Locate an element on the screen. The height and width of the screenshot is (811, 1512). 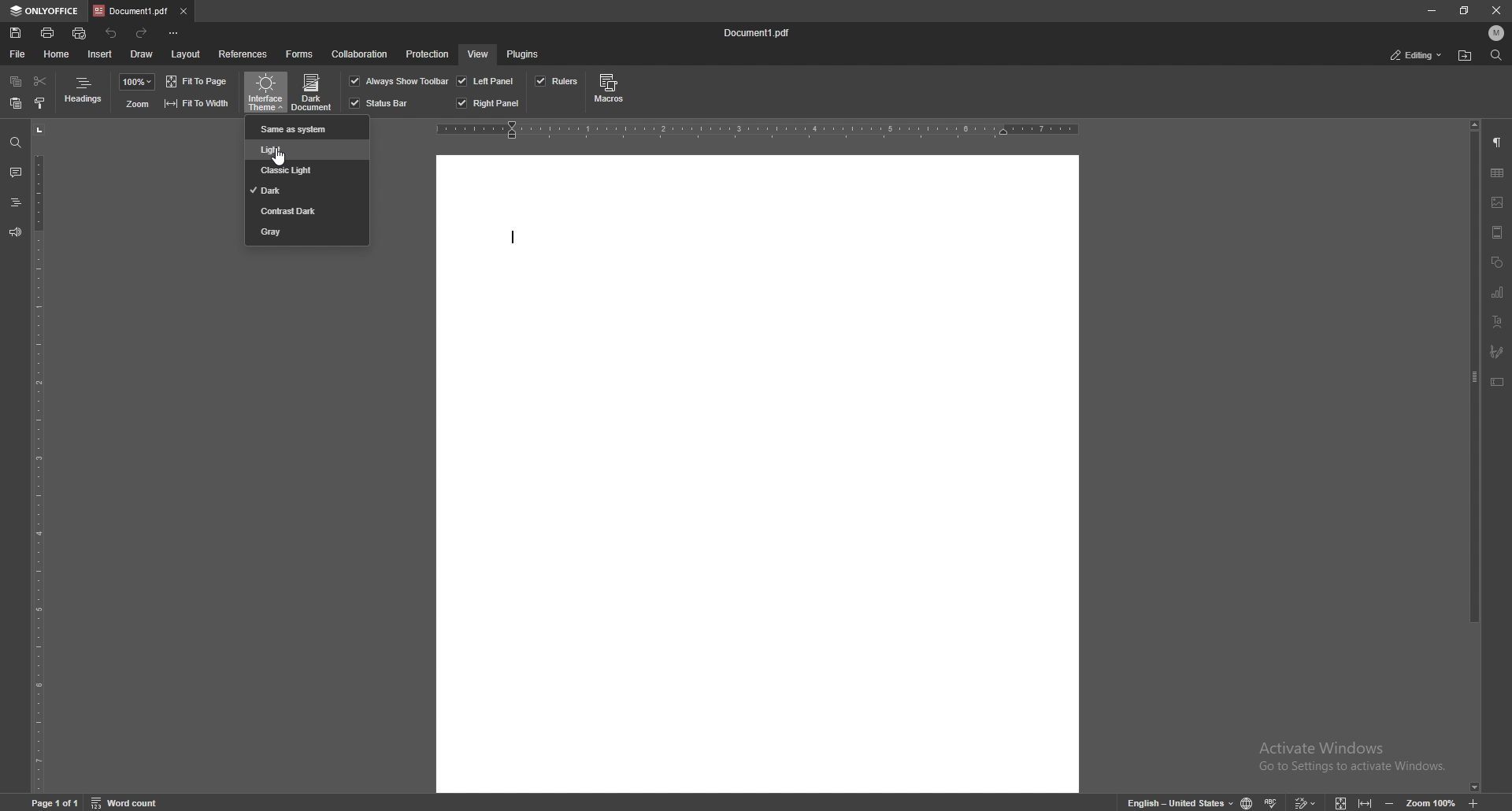
locate file is located at coordinates (1465, 57).